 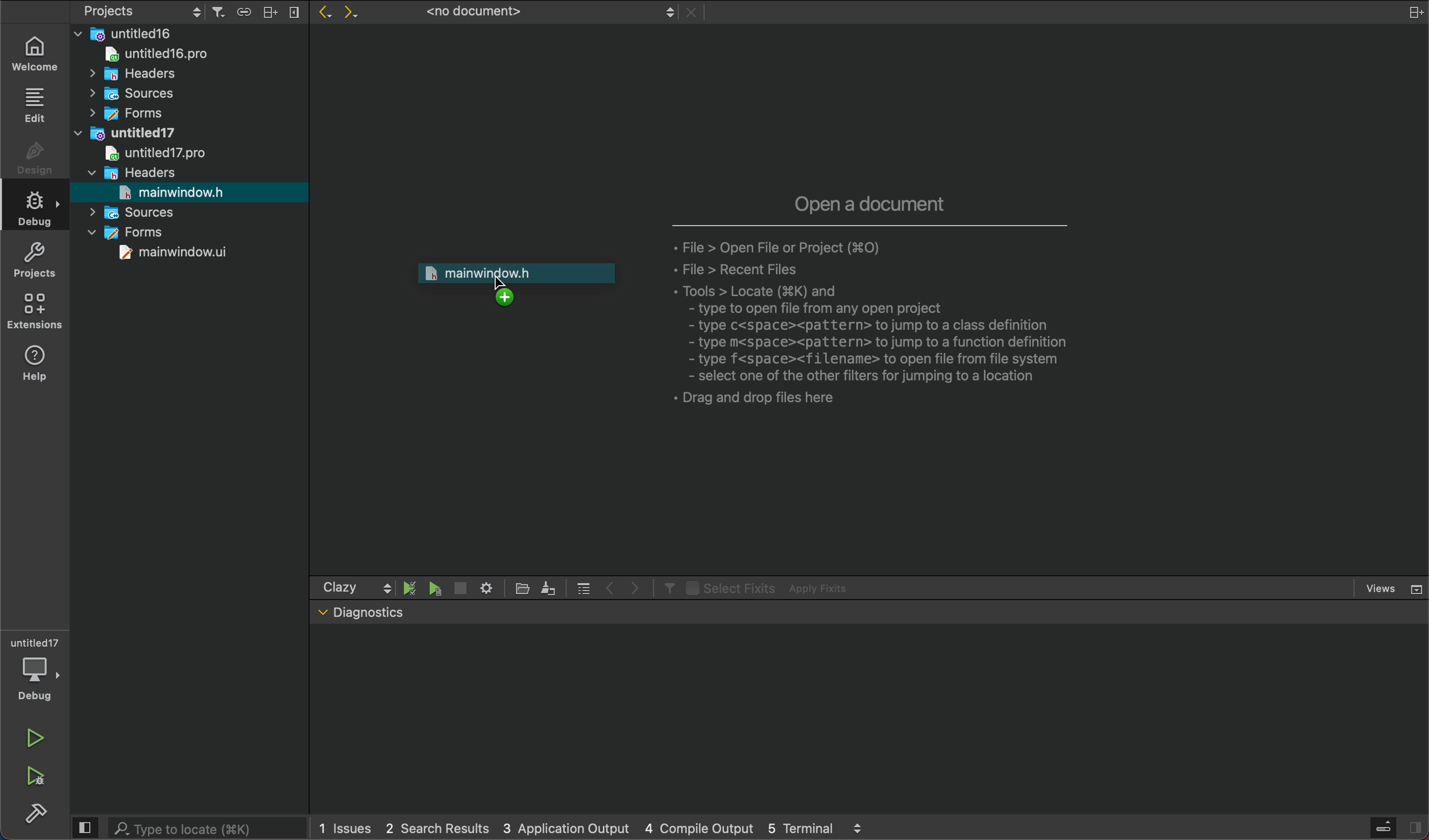 I want to click on untitled17, so click(x=129, y=131).